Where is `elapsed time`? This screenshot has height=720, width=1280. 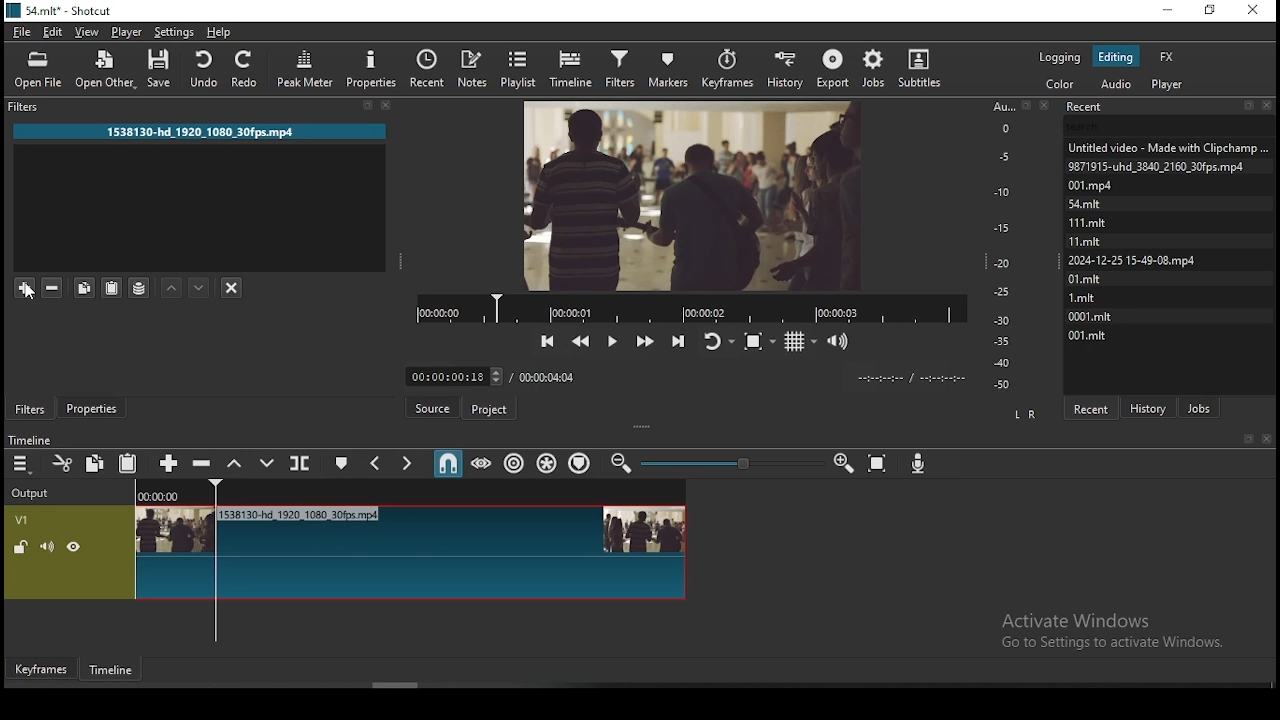 elapsed time is located at coordinates (454, 376).